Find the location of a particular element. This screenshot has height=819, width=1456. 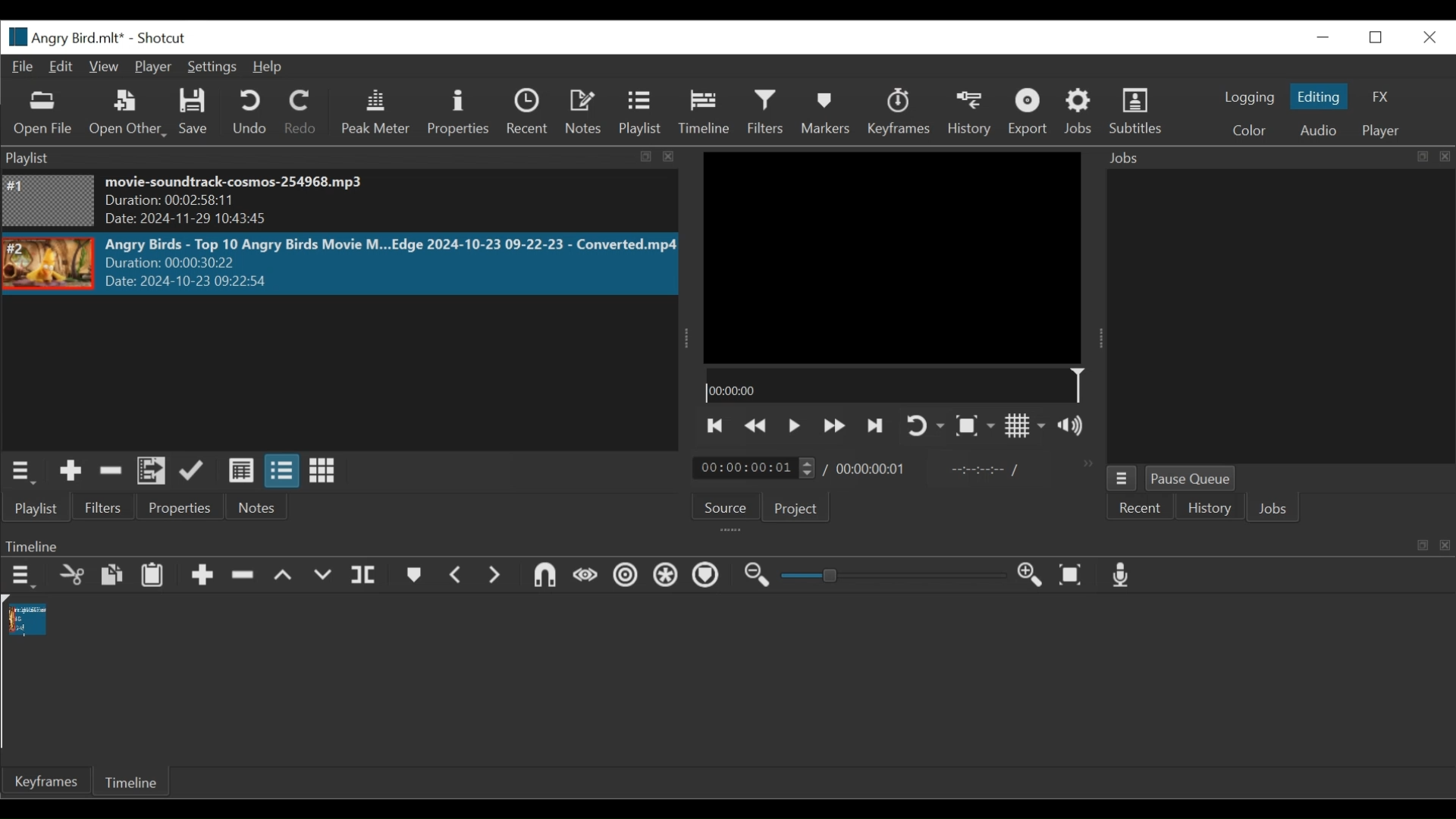

Image is located at coordinates (49, 264).